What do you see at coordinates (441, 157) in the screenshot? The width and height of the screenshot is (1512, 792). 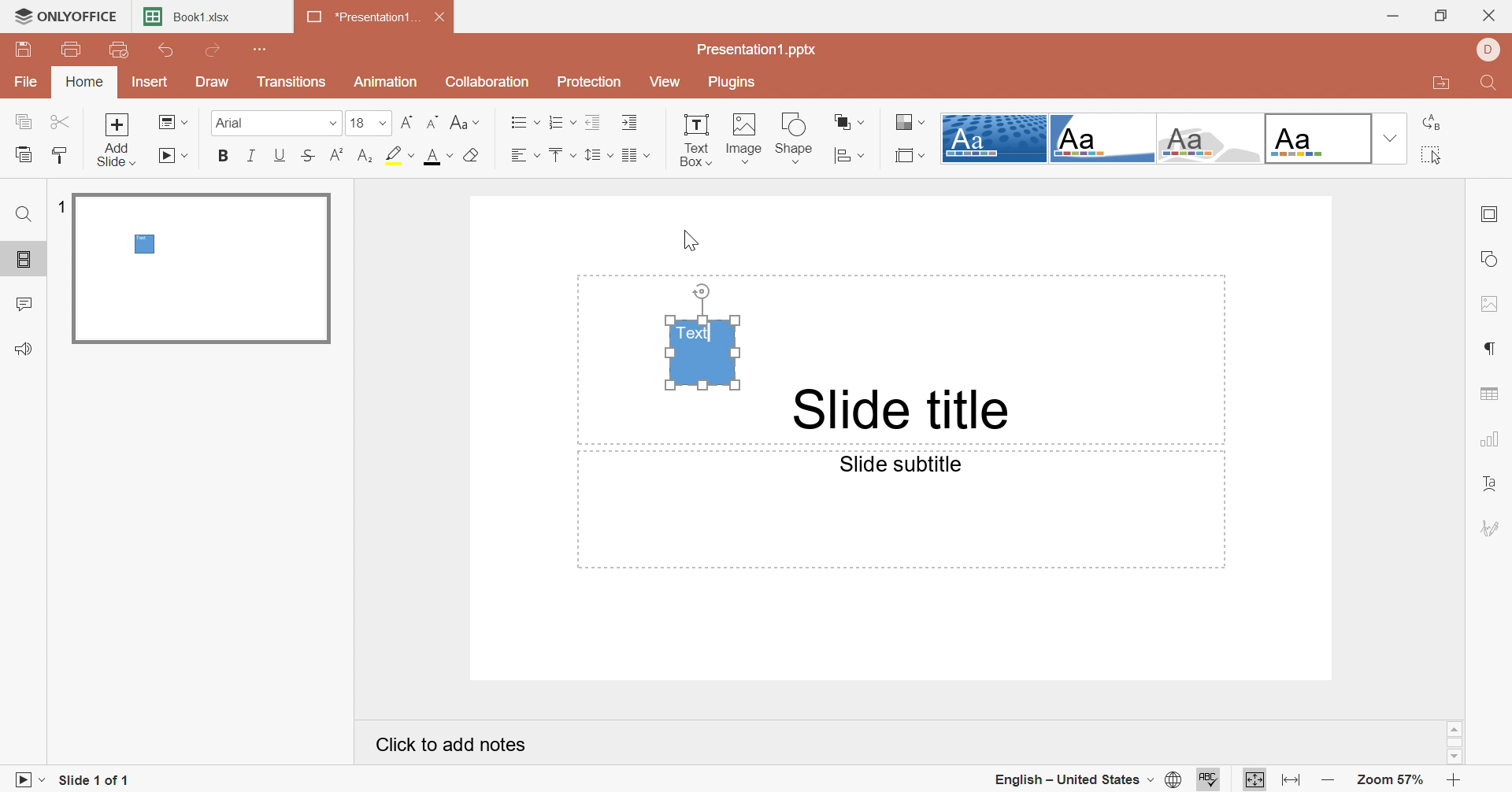 I see `Font color` at bounding box center [441, 157].